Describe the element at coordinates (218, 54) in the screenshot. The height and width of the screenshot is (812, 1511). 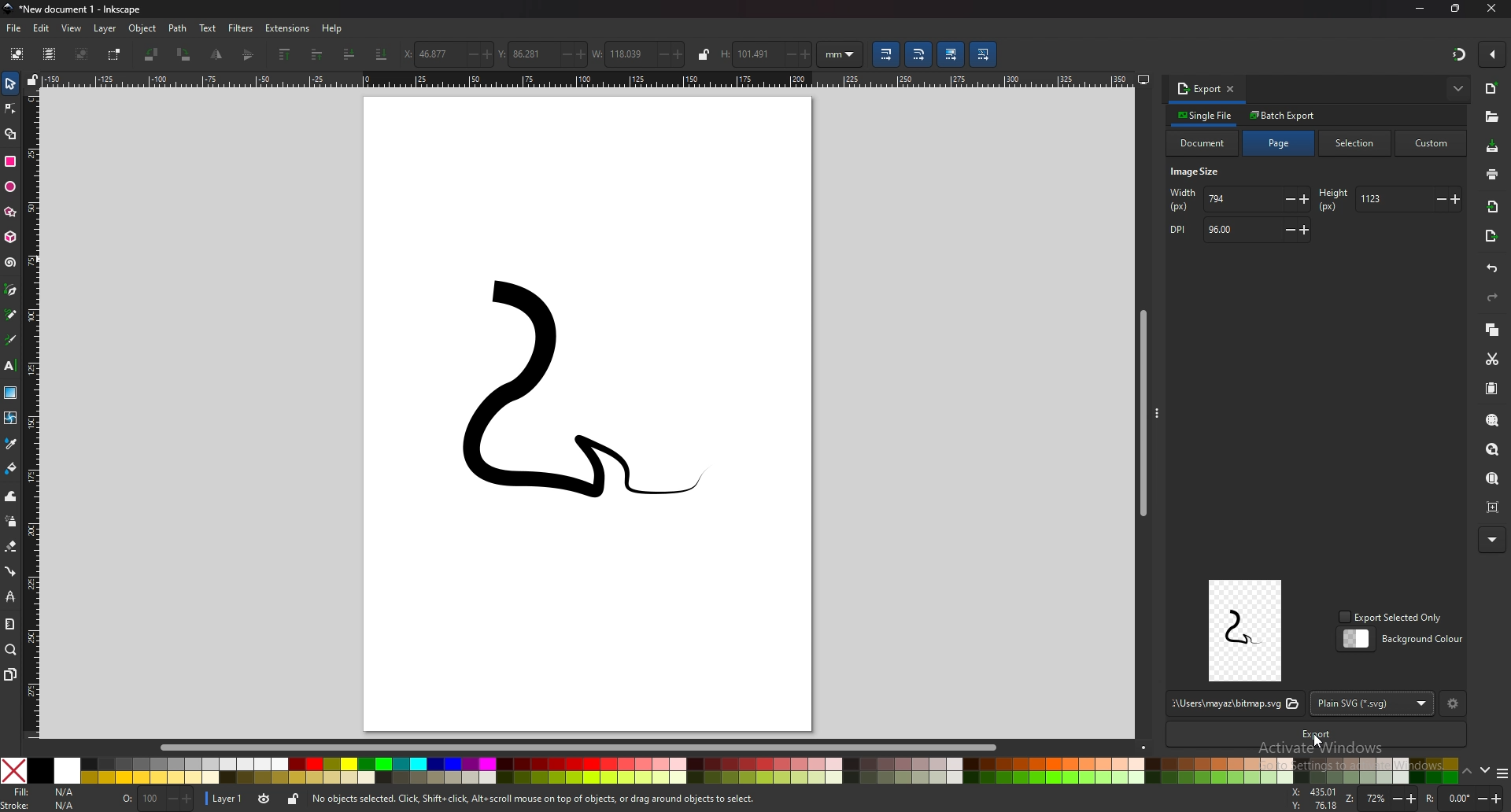
I see `flip vetically` at that location.